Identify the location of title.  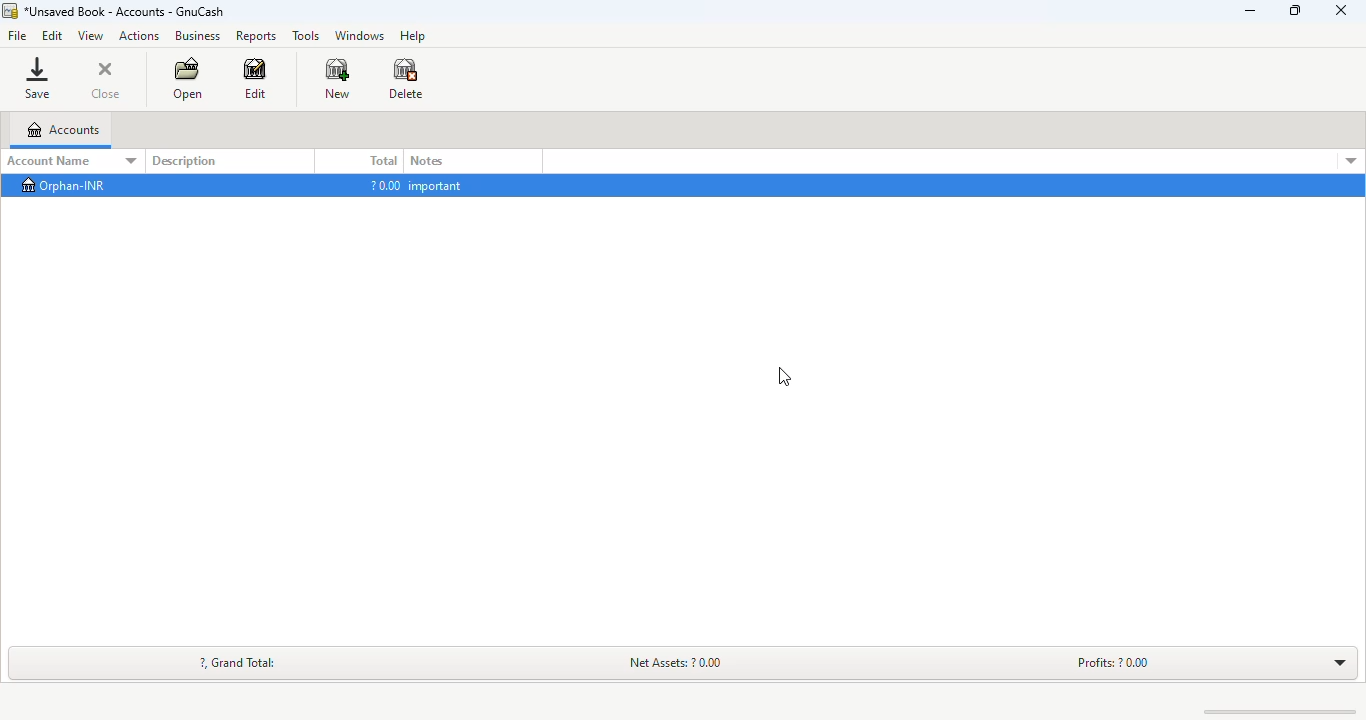
(125, 12).